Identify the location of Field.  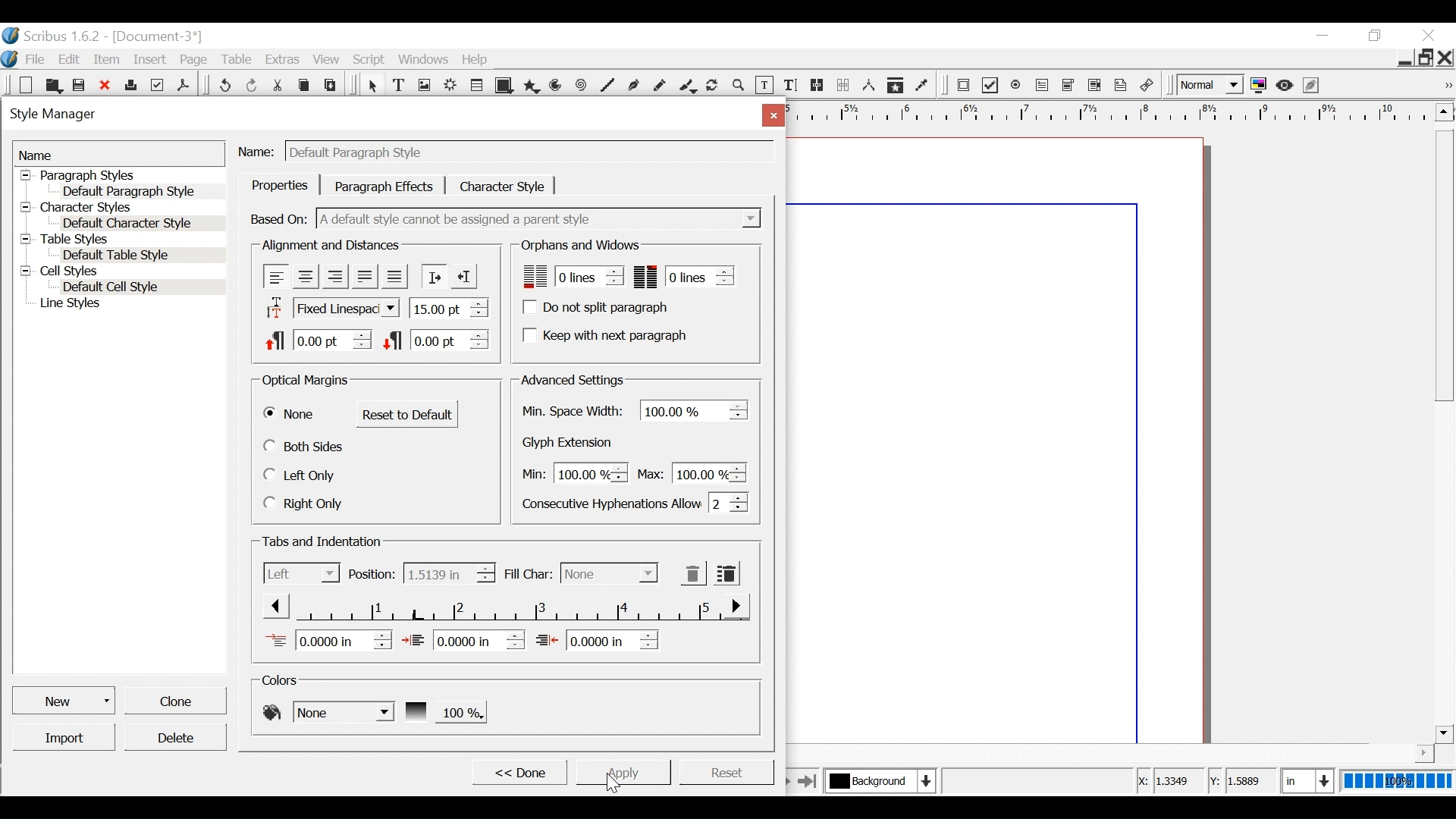
(529, 152).